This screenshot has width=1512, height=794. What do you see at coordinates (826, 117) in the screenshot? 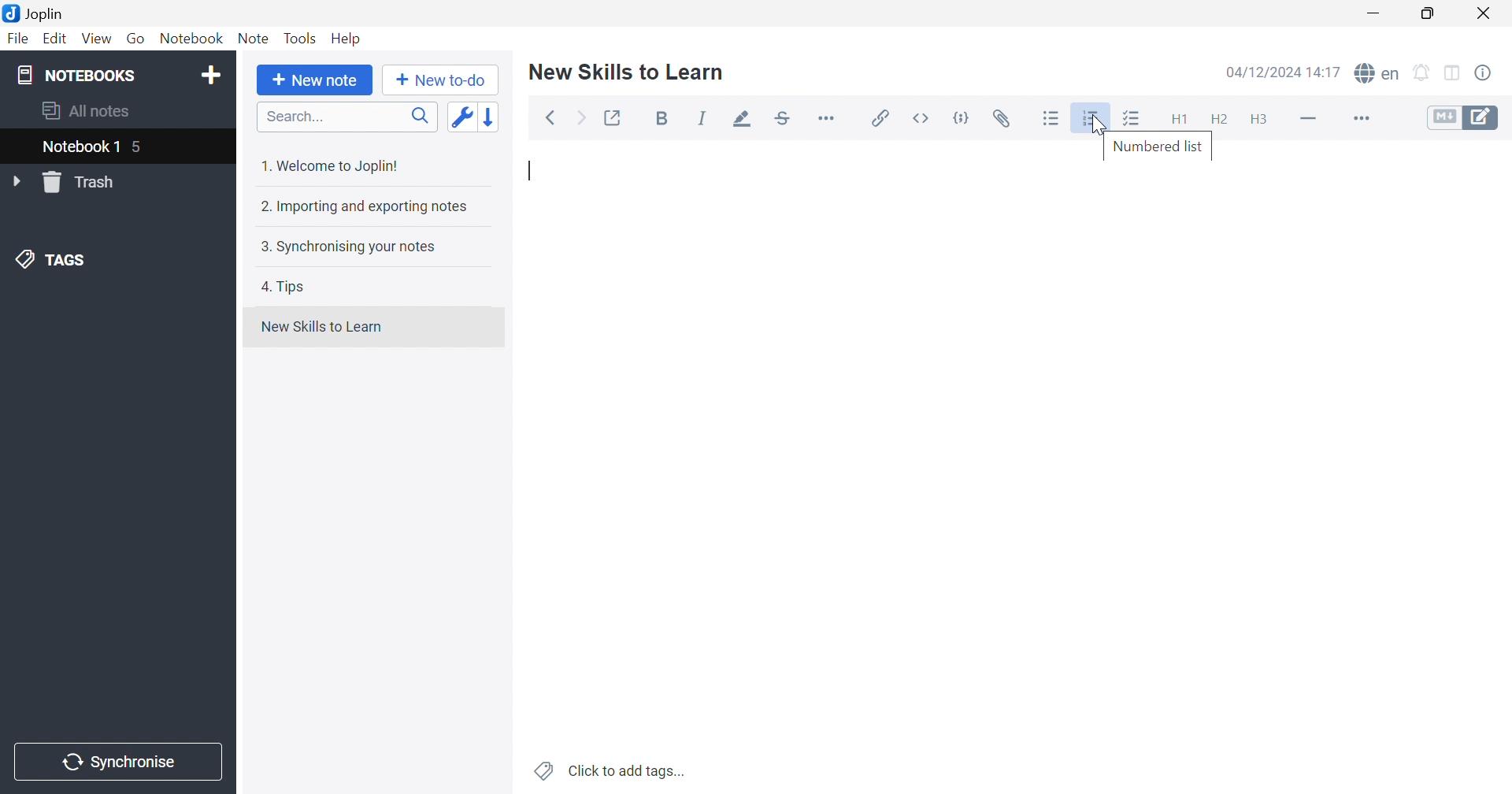
I see `More...` at bounding box center [826, 117].